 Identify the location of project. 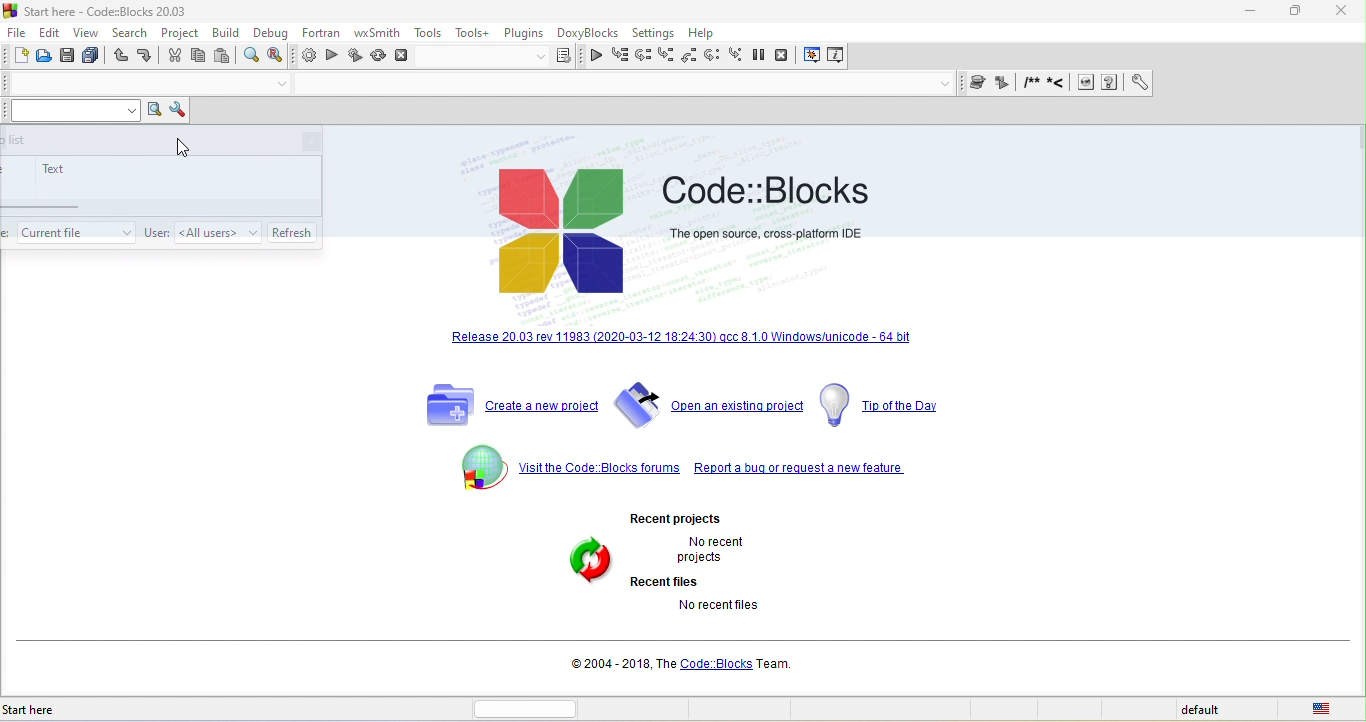
(180, 34).